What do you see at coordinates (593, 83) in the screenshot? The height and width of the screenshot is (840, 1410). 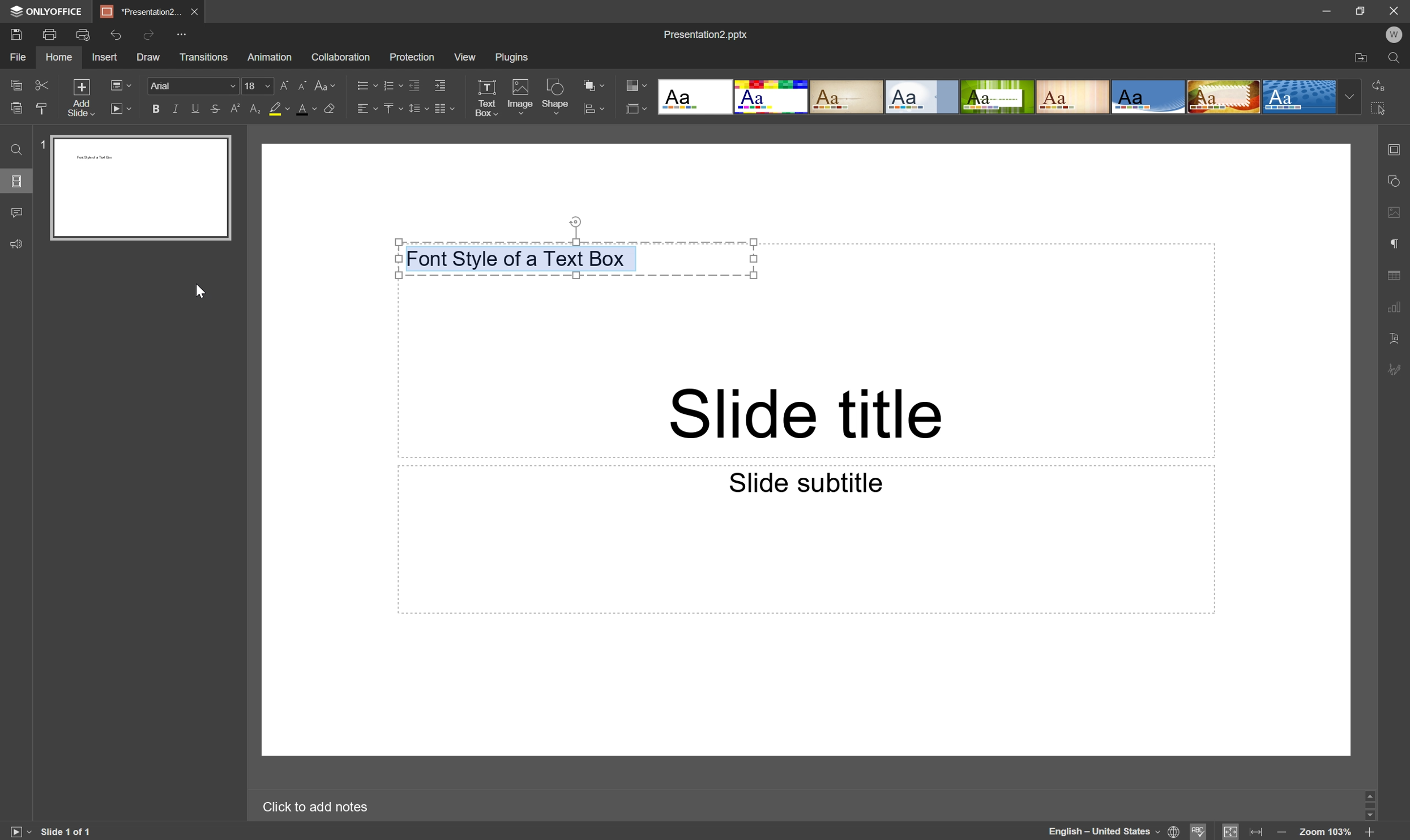 I see `Arrange shape` at bounding box center [593, 83].